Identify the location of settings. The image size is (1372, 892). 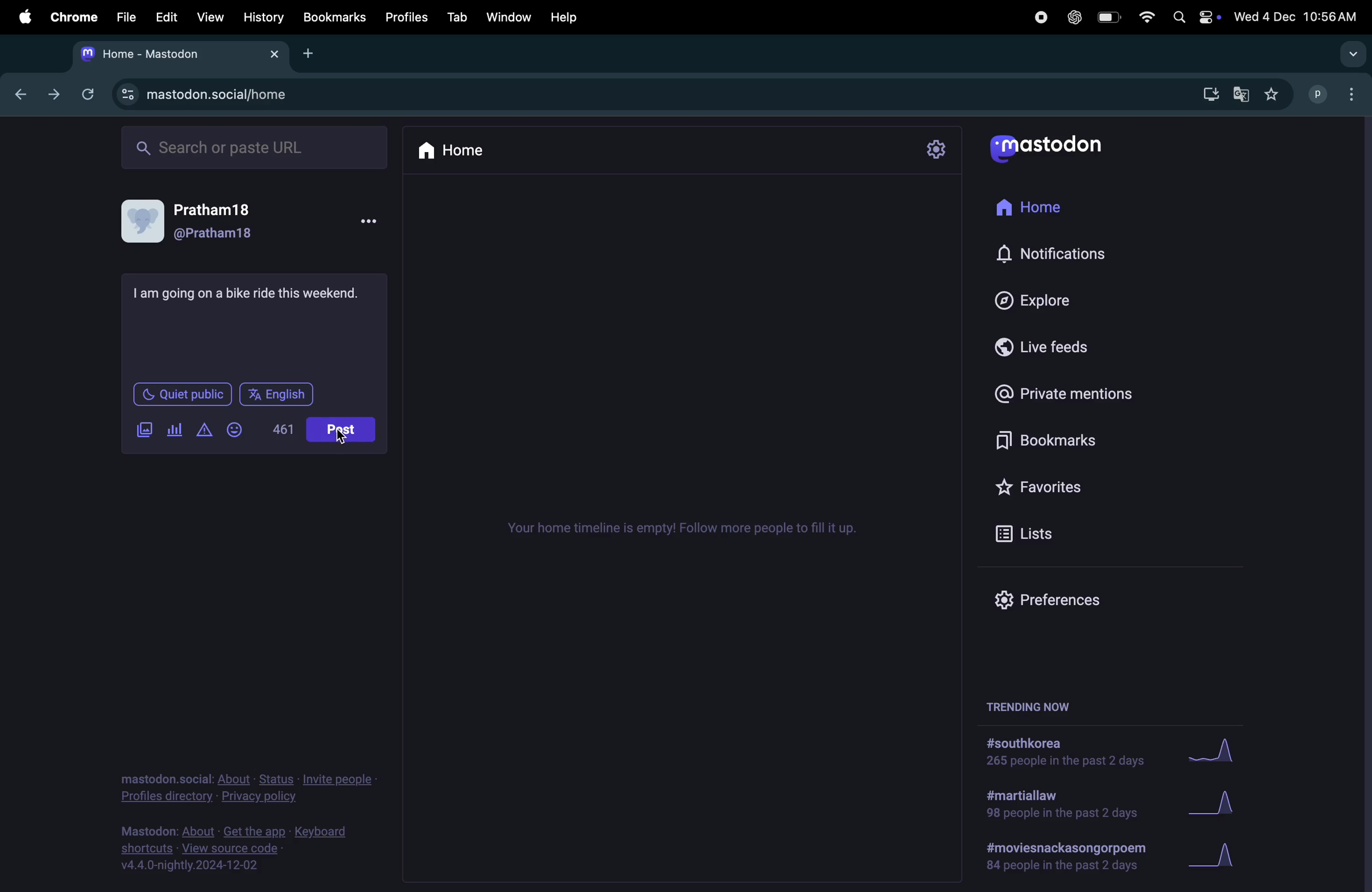
(936, 151).